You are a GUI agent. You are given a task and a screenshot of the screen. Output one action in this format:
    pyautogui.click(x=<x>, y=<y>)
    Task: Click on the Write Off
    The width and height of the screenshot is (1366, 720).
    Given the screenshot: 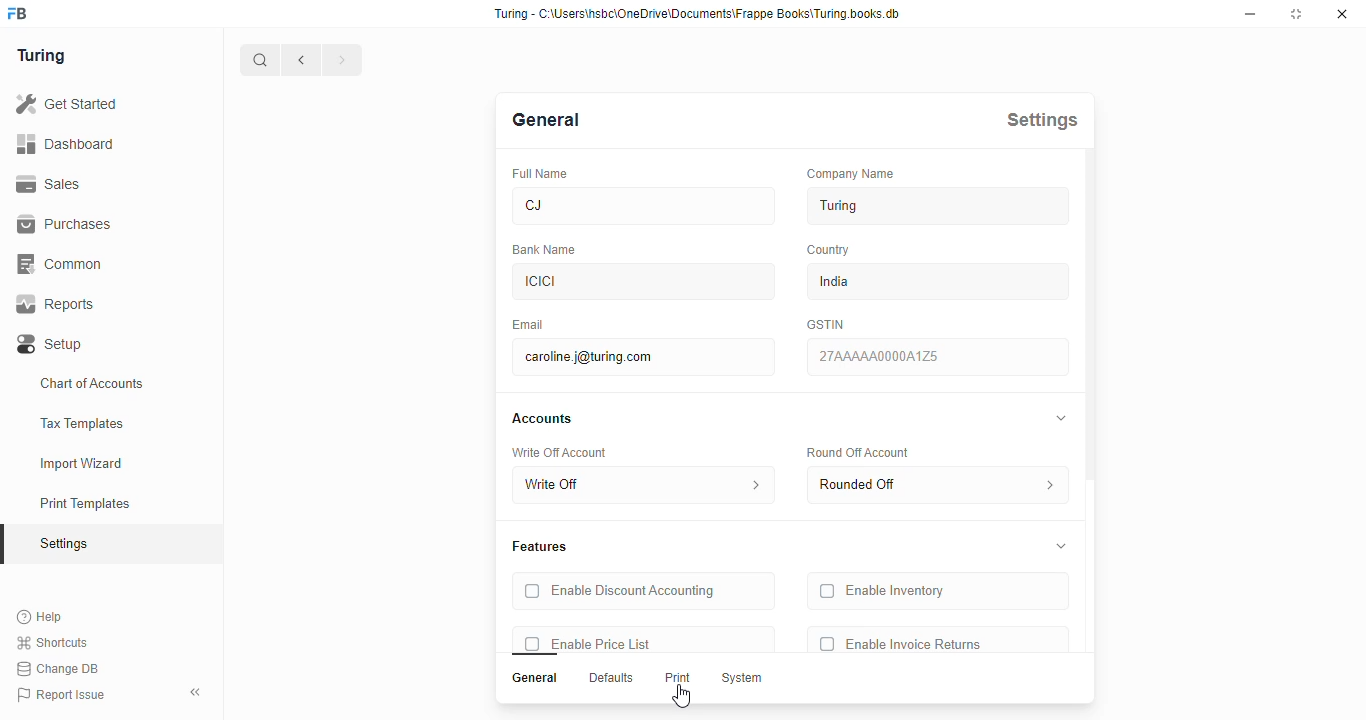 What is the action you would take?
    pyautogui.click(x=644, y=485)
    